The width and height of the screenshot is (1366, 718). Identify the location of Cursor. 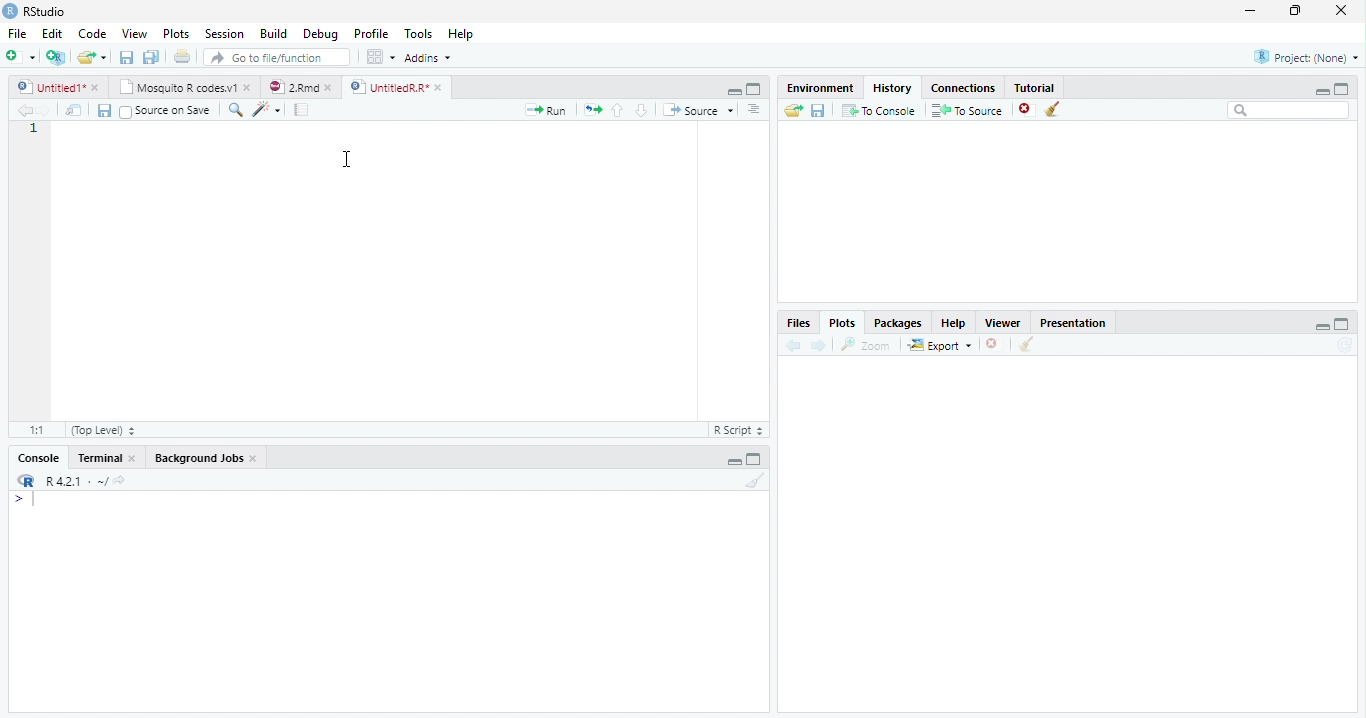
(348, 159).